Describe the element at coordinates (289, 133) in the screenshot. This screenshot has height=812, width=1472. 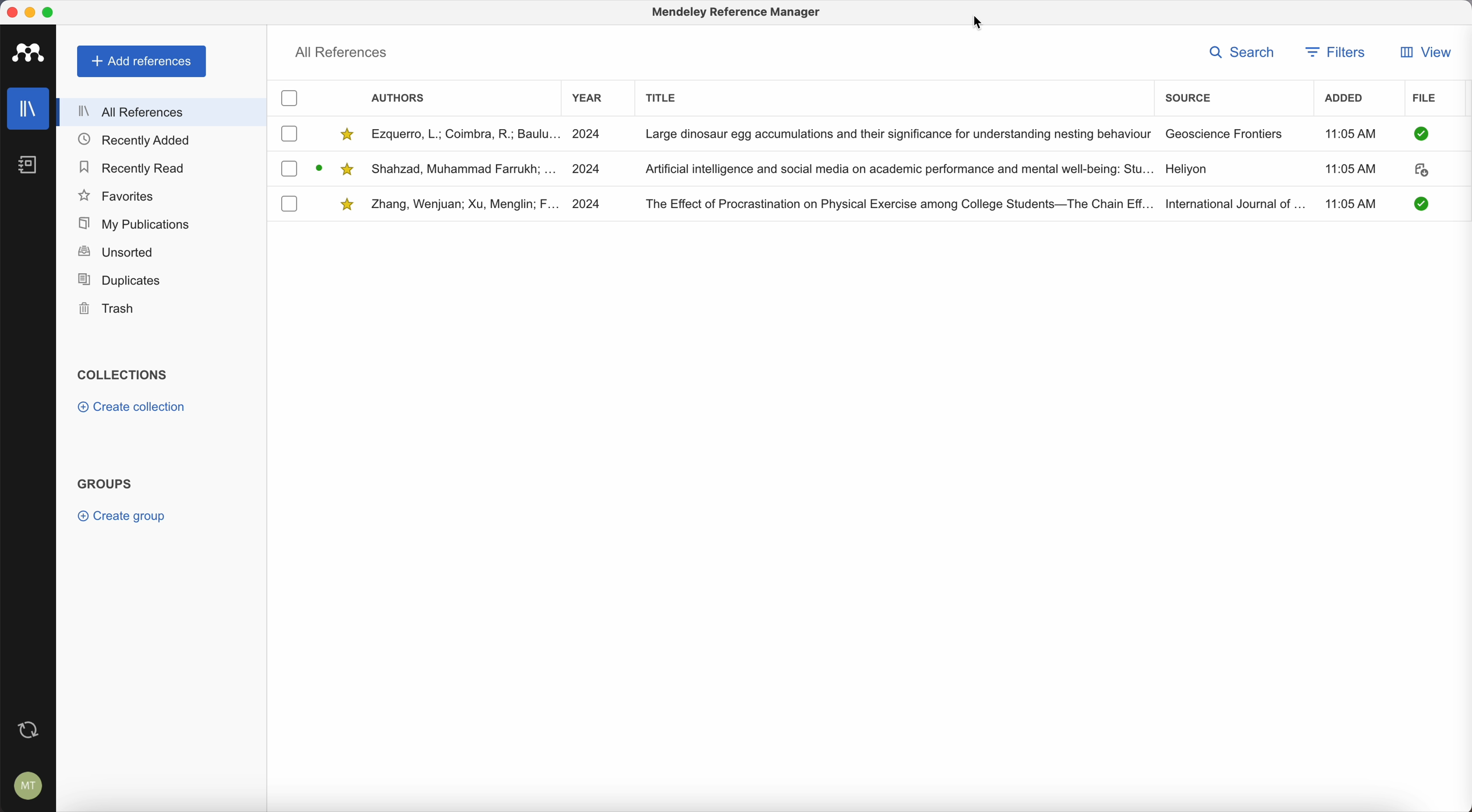
I see `checkbox` at that location.